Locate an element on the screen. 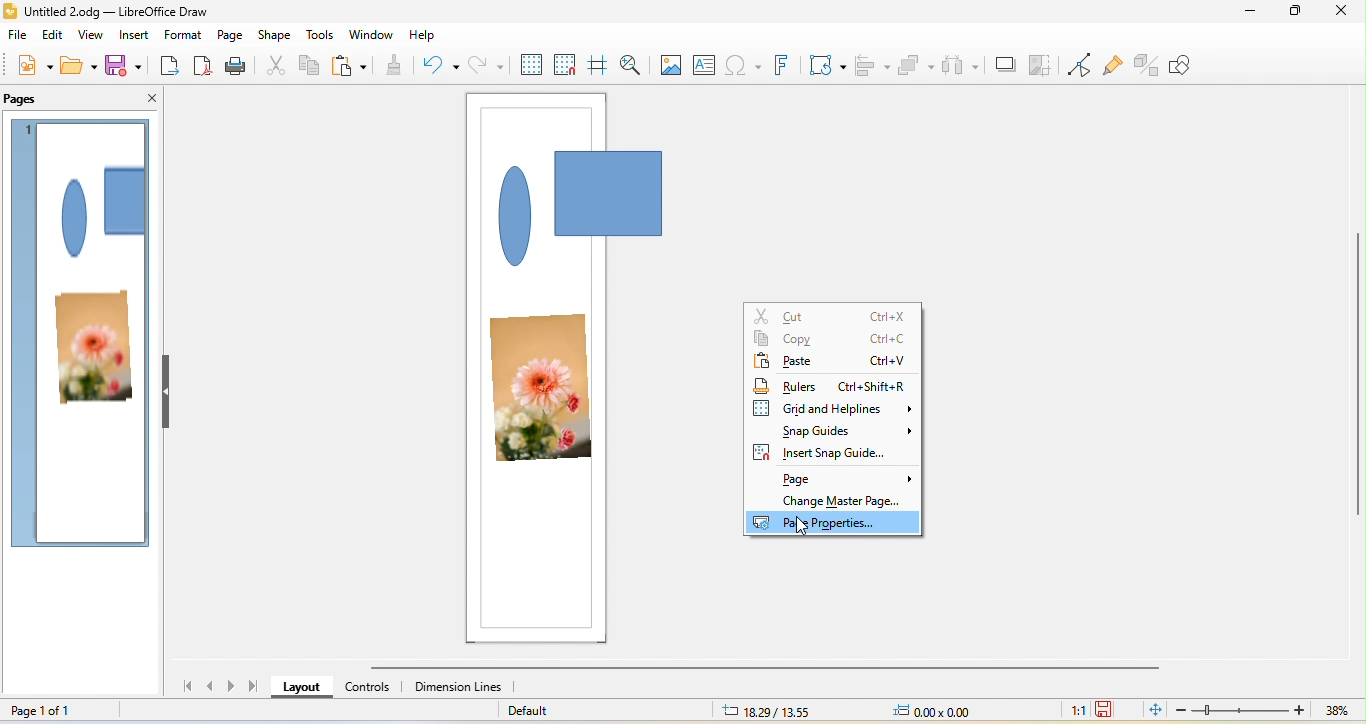 This screenshot has width=1366, height=724. edit is located at coordinates (55, 37).